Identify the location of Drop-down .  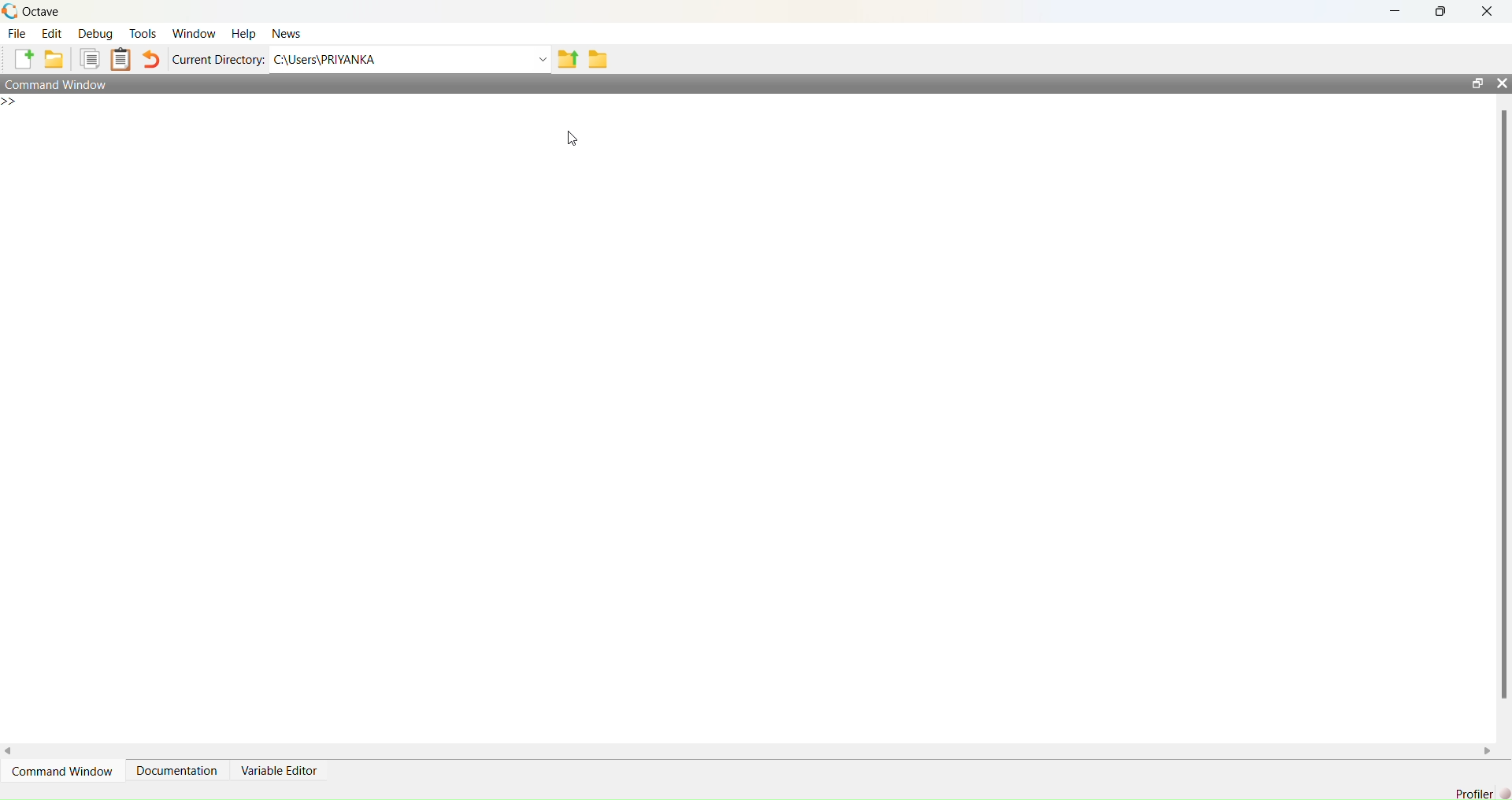
(543, 59).